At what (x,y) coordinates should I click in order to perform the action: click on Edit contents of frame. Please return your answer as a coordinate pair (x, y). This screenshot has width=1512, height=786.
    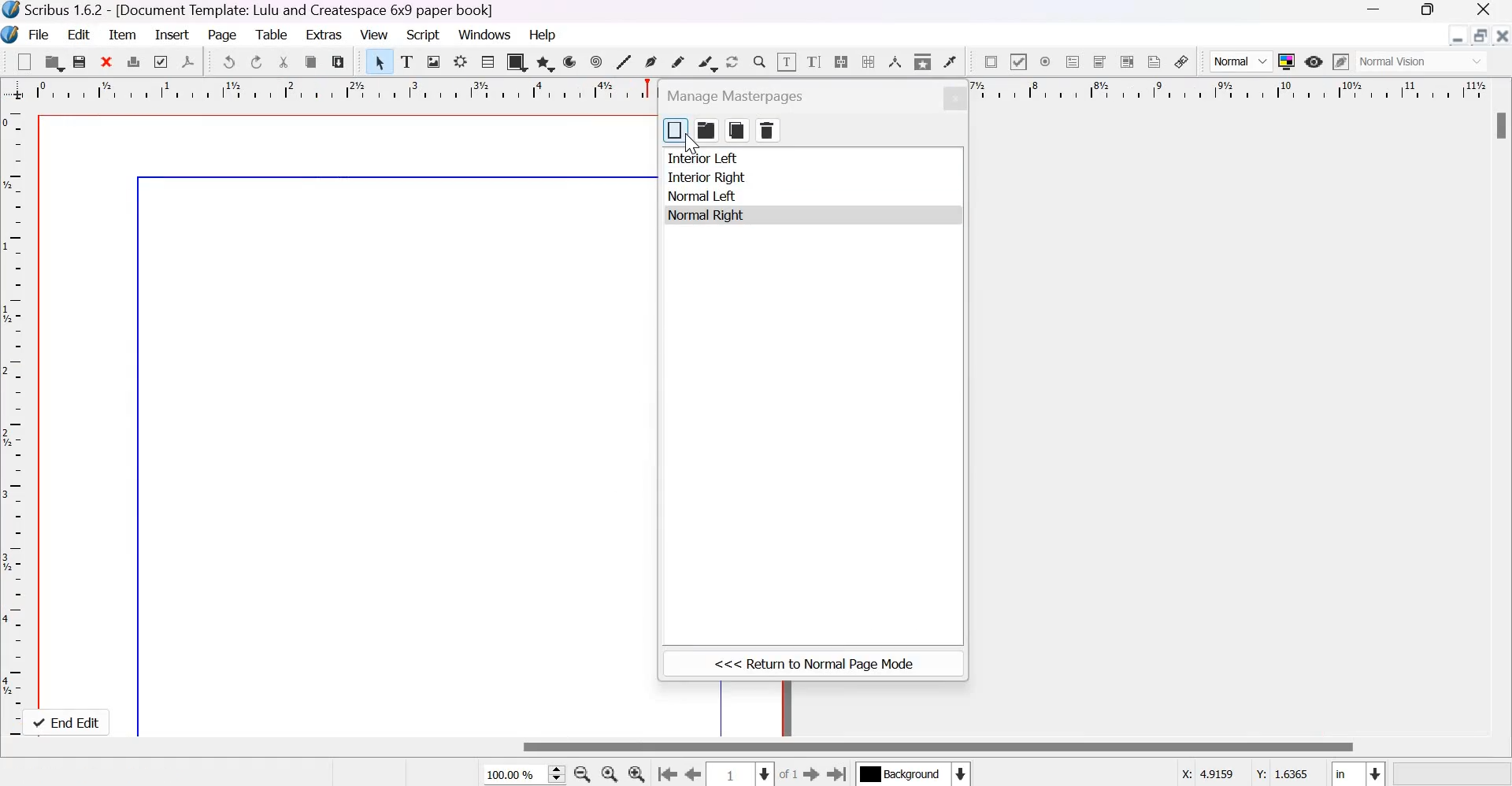
    Looking at the image, I should click on (786, 61).